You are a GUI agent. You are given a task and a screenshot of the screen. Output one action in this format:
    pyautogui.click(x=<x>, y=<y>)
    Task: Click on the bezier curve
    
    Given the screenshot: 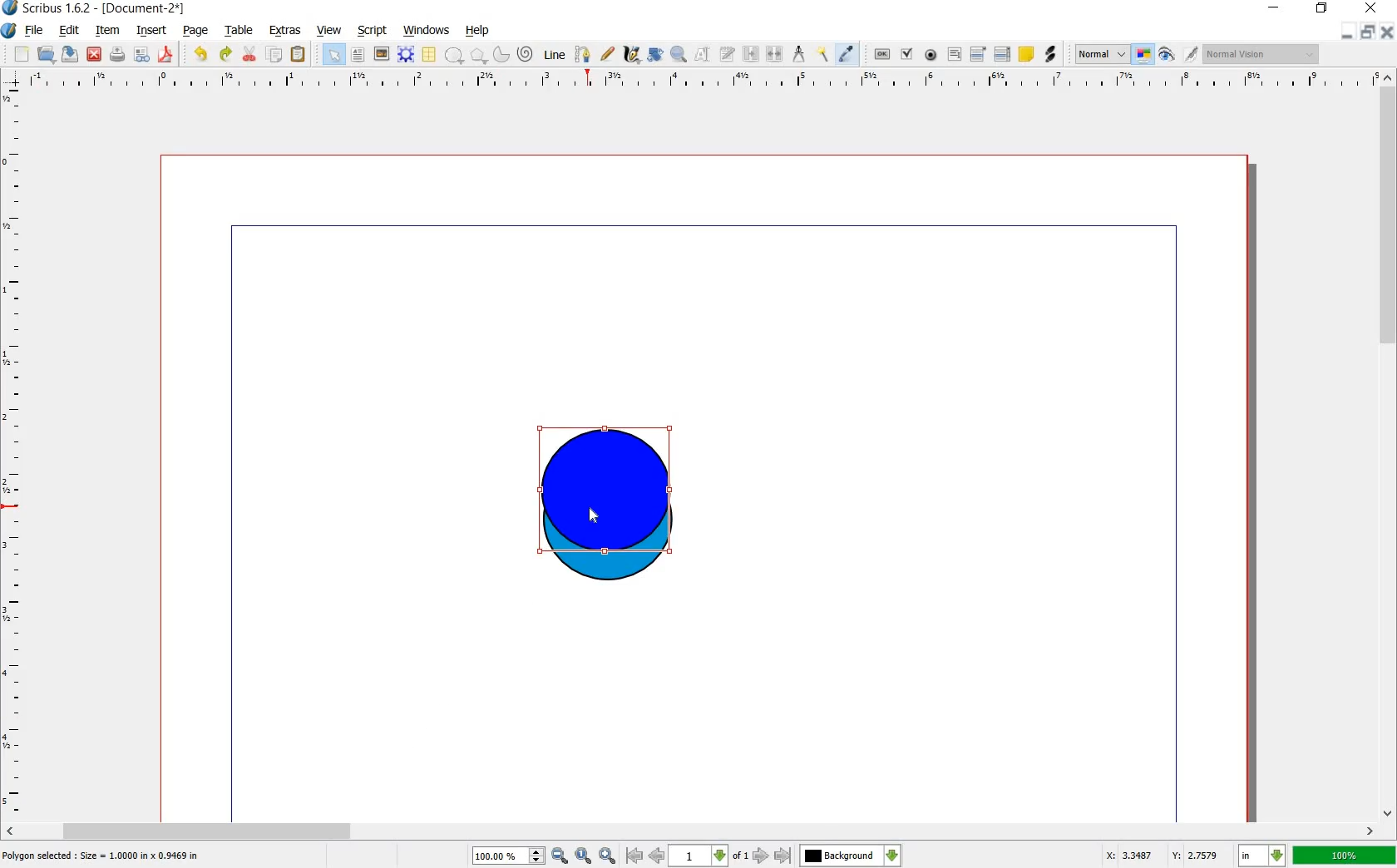 What is the action you would take?
    pyautogui.click(x=583, y=55)
    